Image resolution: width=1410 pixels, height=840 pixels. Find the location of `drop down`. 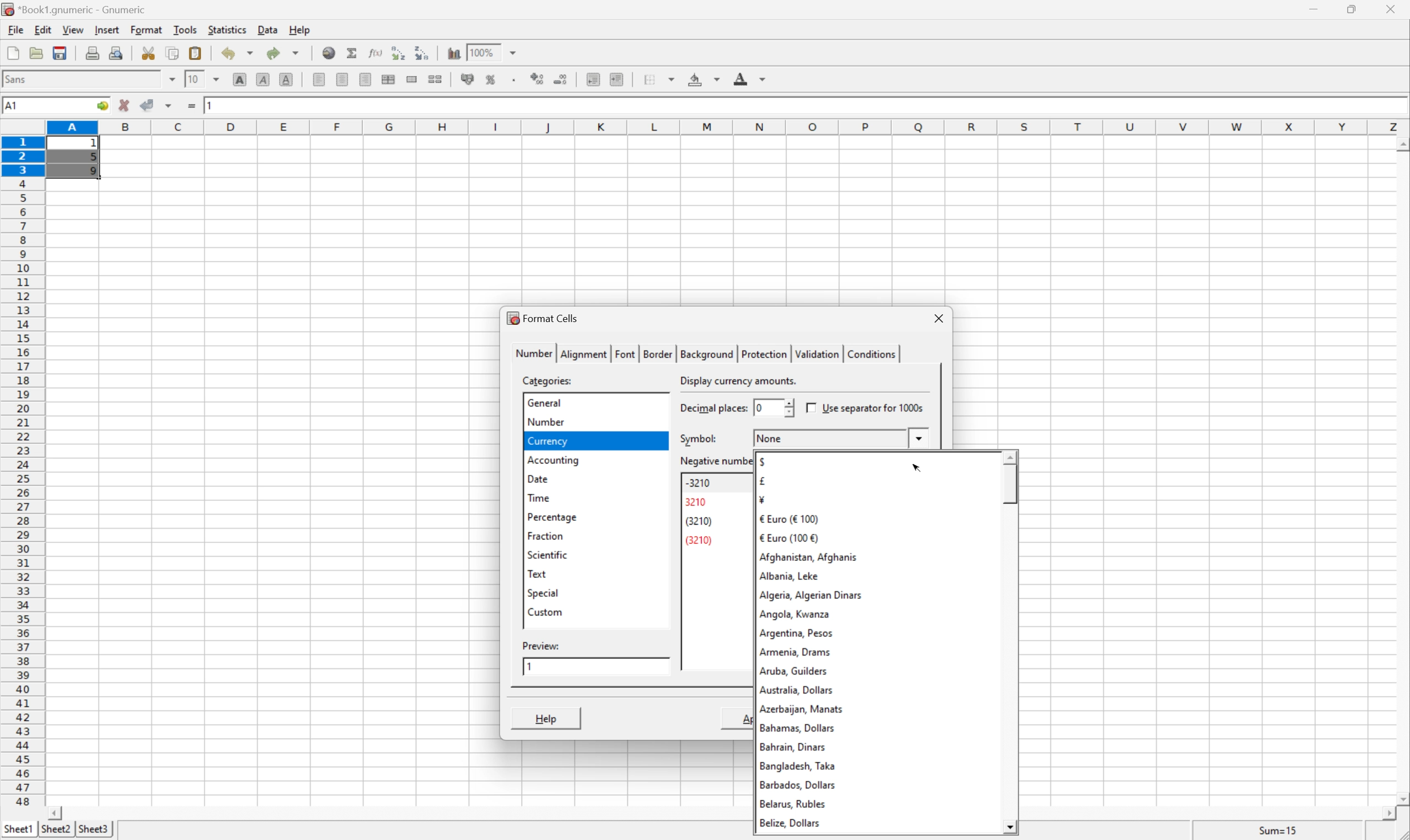

drop down is located at coordinates (220, 79).